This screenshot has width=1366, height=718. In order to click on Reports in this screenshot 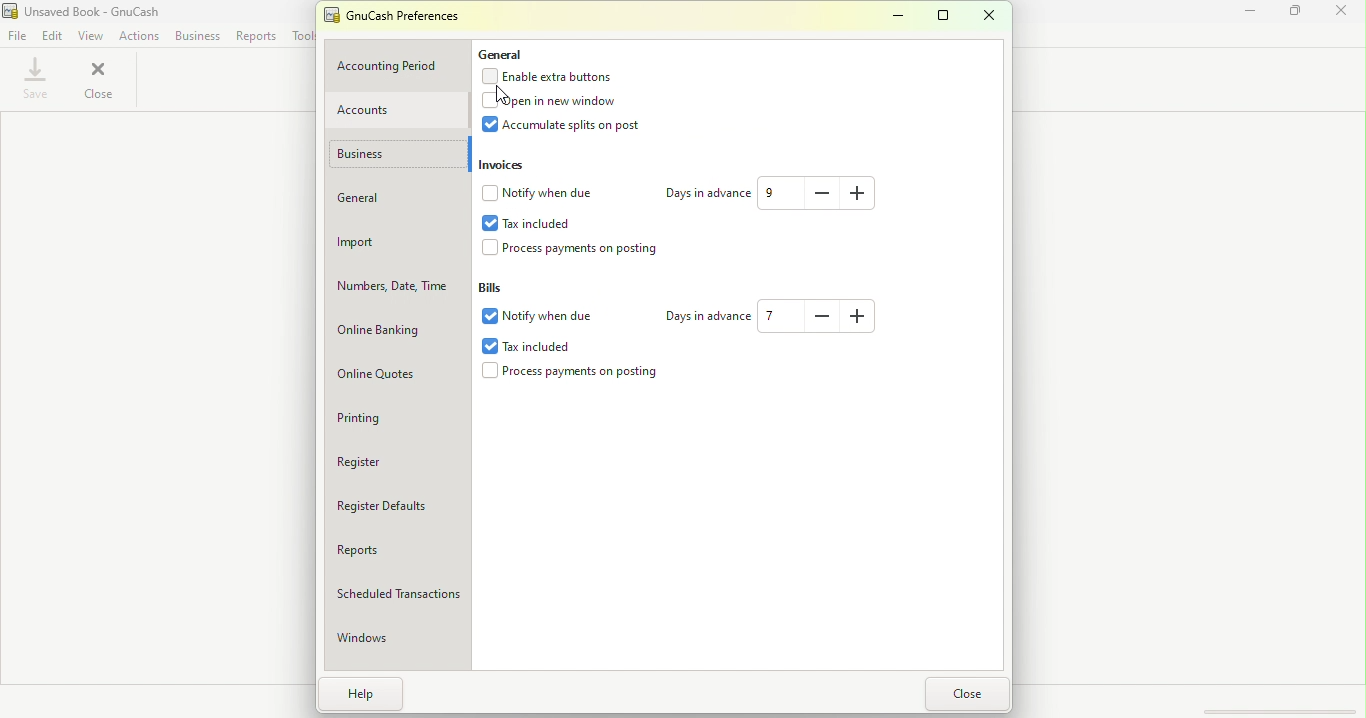, I will do `click(256, 35)`.